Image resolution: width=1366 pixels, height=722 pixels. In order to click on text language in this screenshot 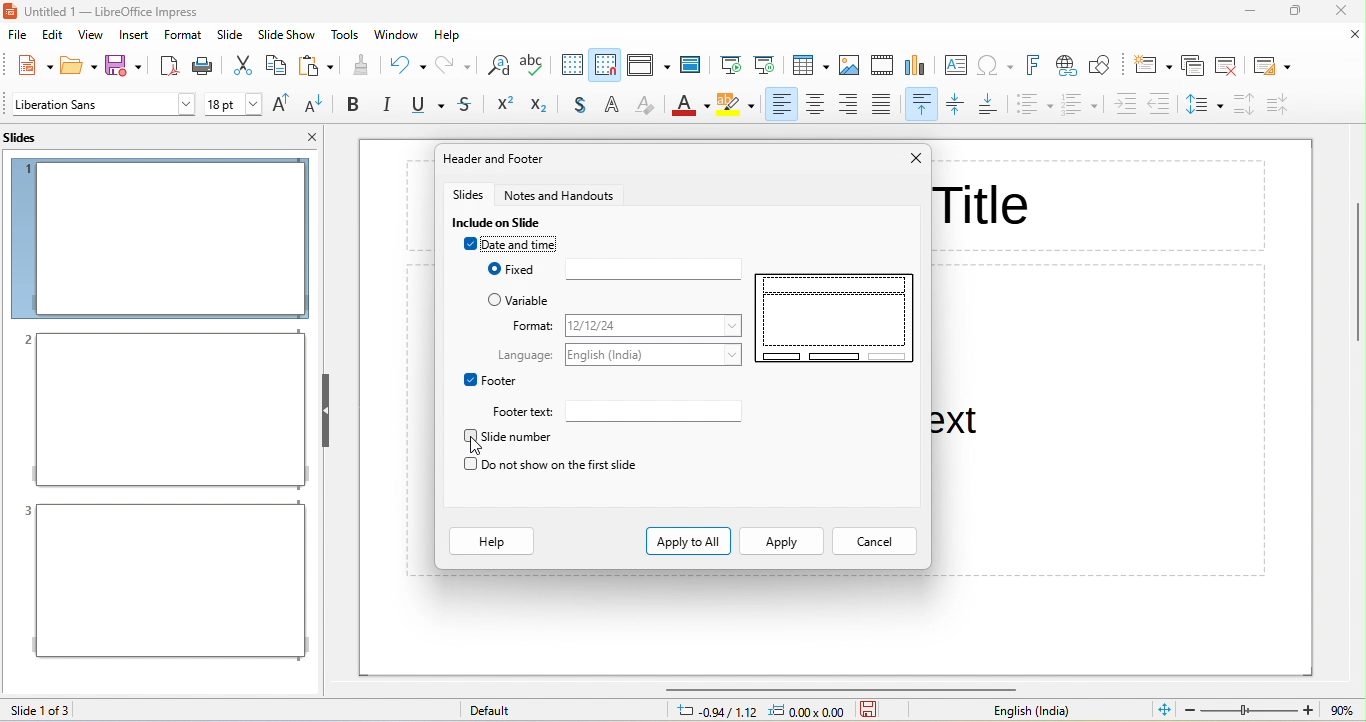, I will do `click(1040, 711)`.